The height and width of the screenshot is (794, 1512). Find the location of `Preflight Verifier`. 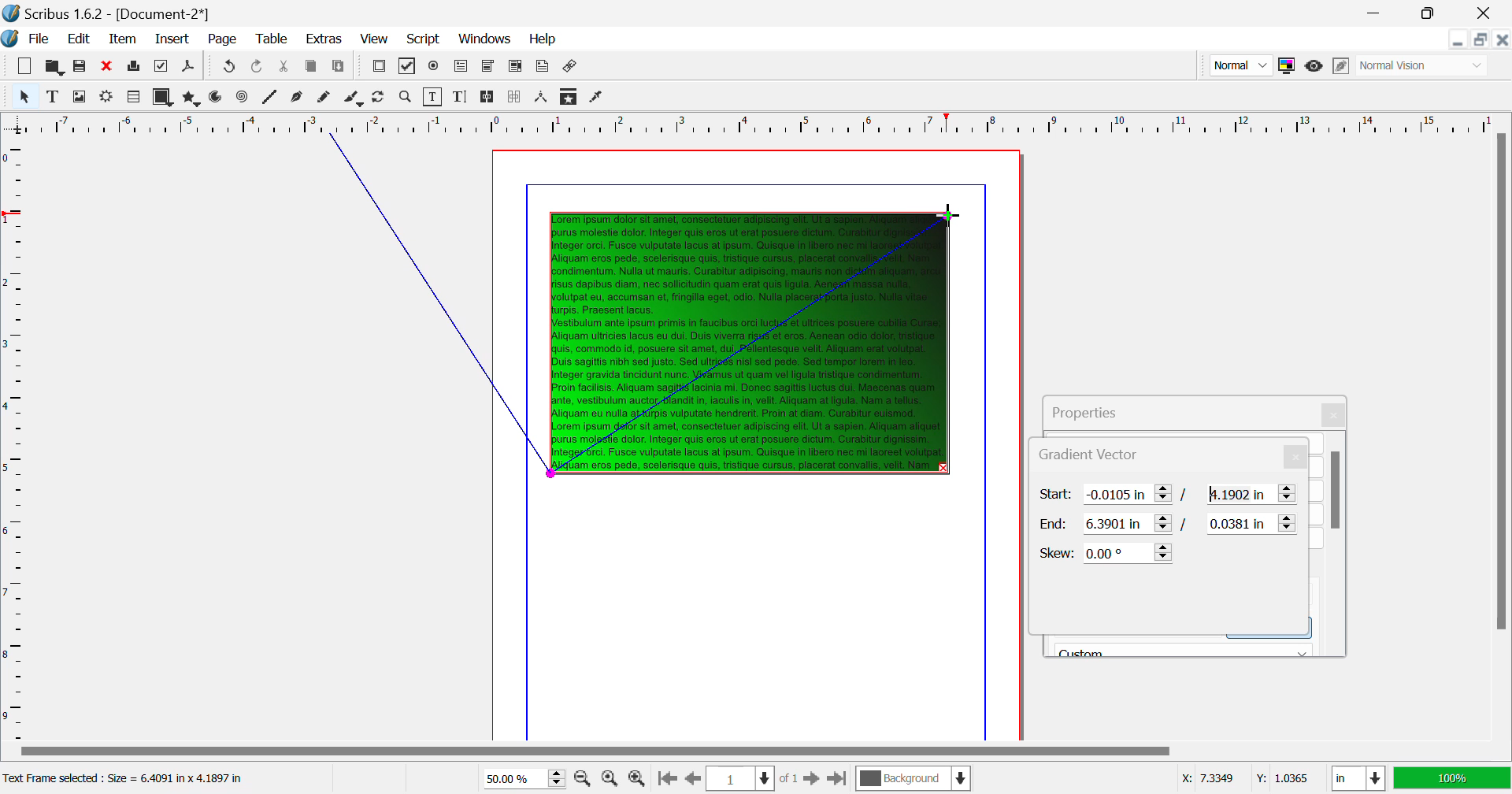

Preflight Verifier is located at coordinates (162, 66).